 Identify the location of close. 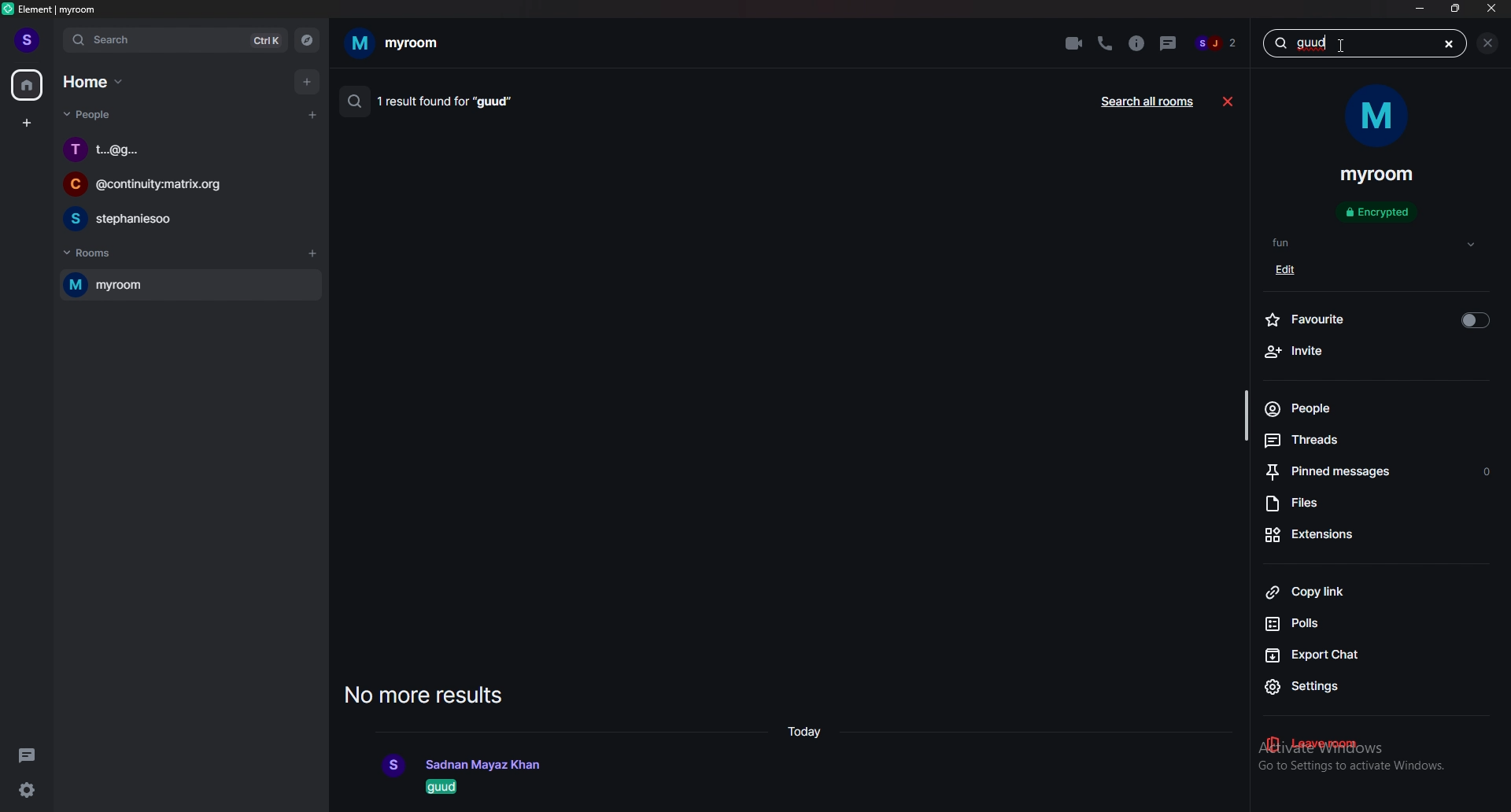
(1227, 103).